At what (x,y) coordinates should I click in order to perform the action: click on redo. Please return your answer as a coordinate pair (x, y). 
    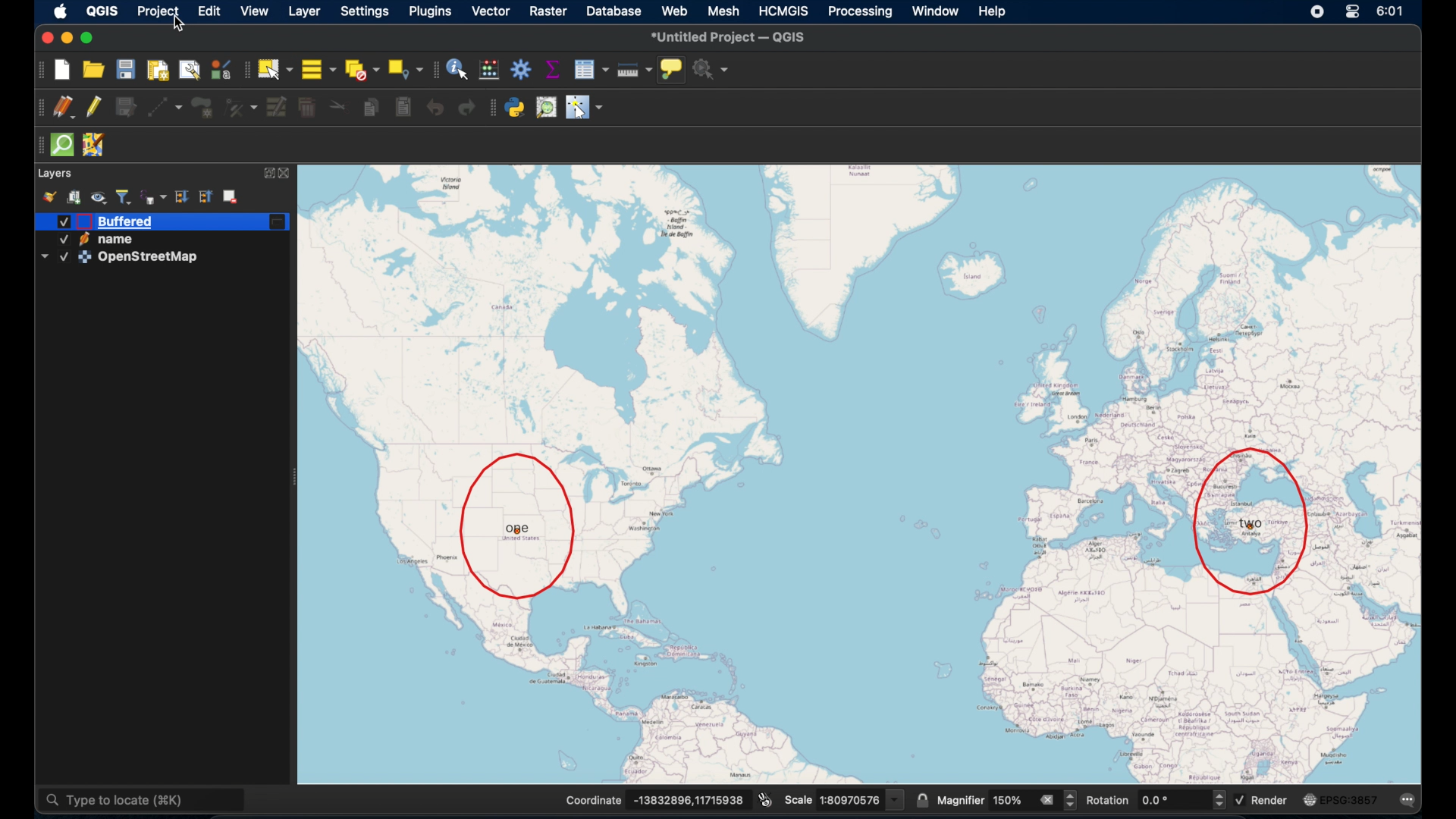
    Looking at the image, I should click on (466, 108).